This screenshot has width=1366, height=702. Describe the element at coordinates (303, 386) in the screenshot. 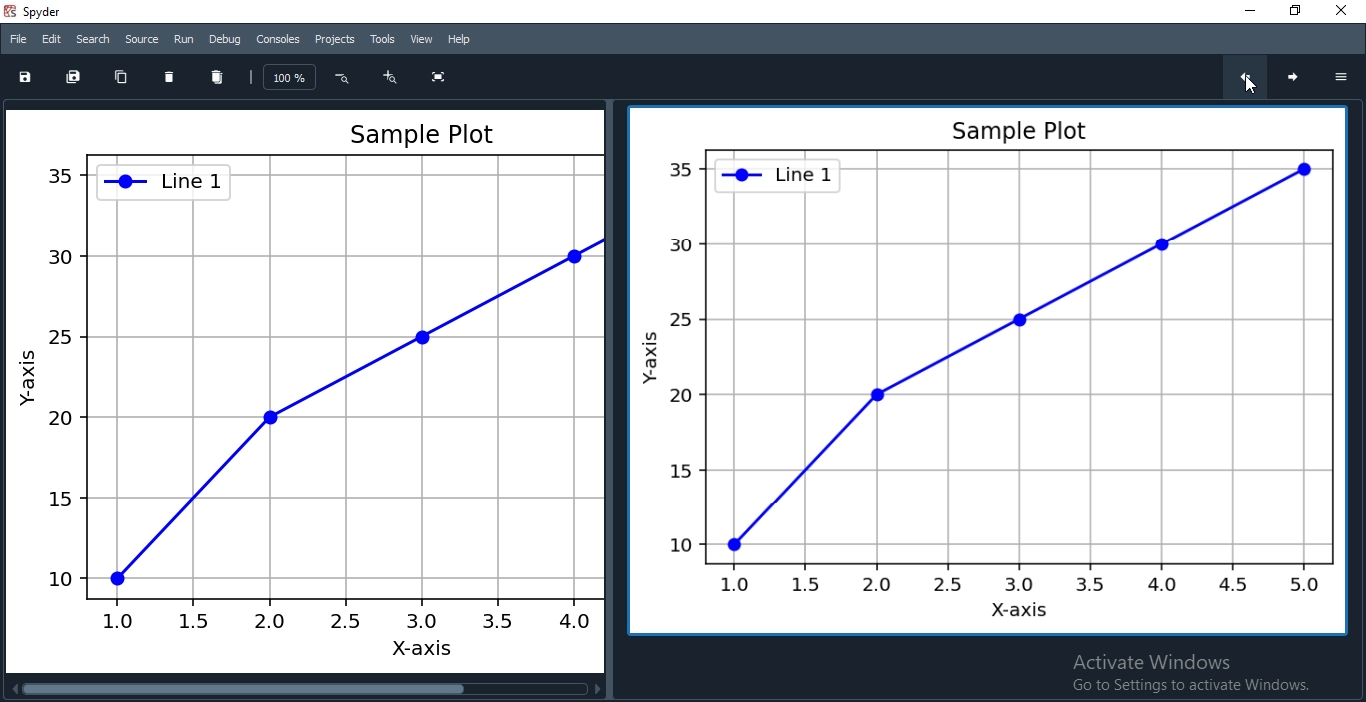

I see `` at that location.